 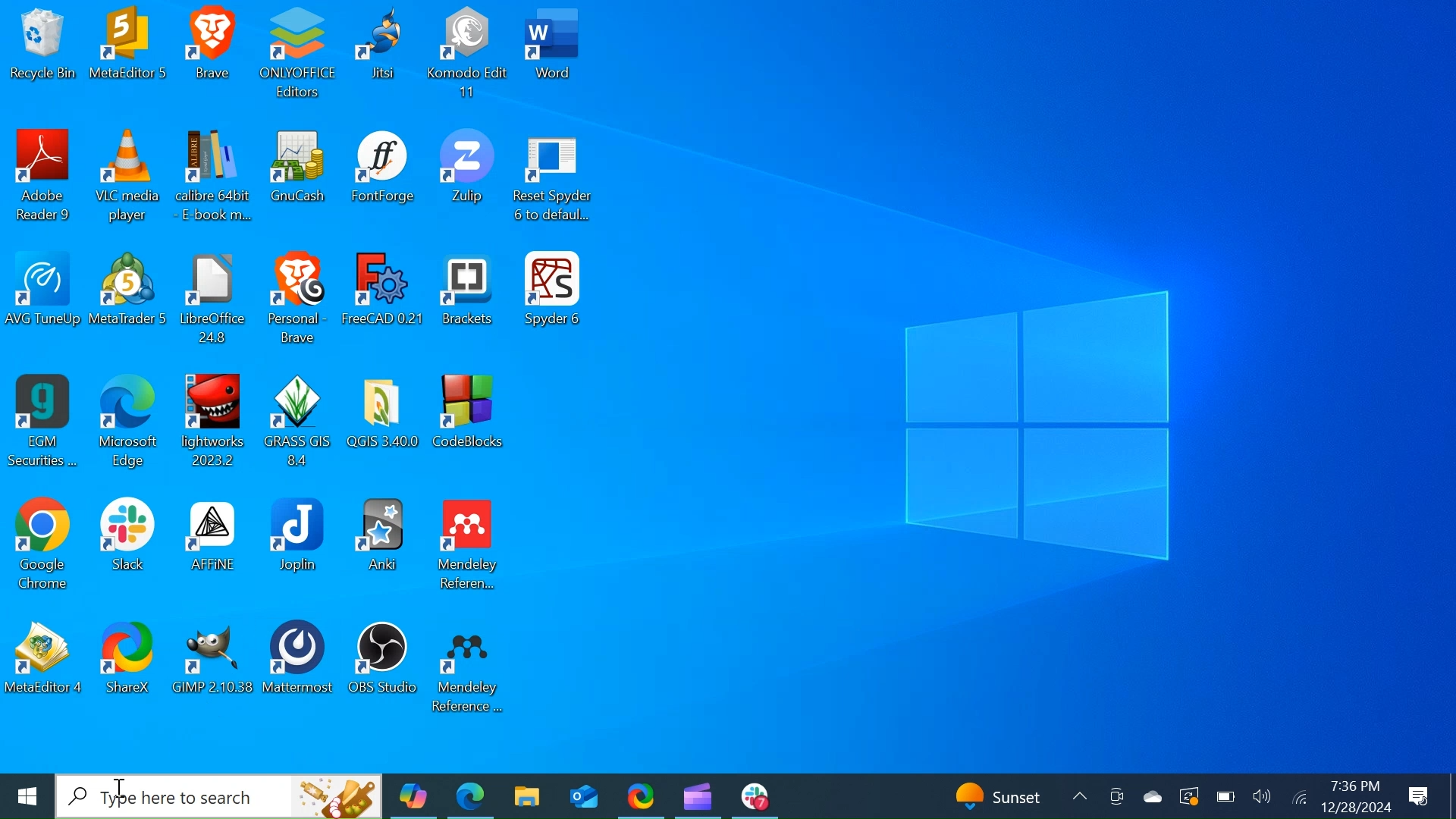 I want to click on OnlyOffice Desktop Icon, so click(x=300, y=54).